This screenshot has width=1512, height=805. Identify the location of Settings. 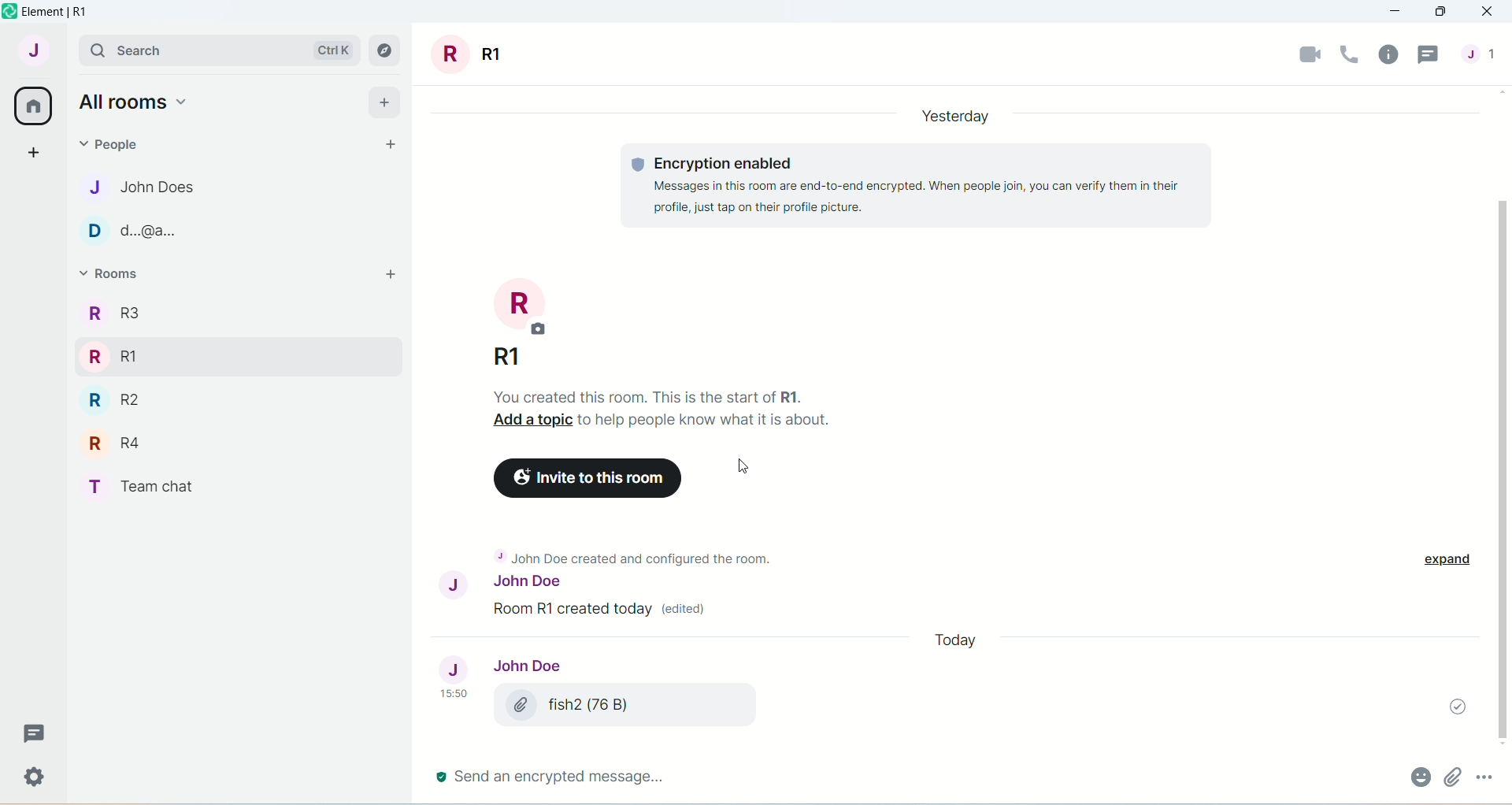
(39, 781).